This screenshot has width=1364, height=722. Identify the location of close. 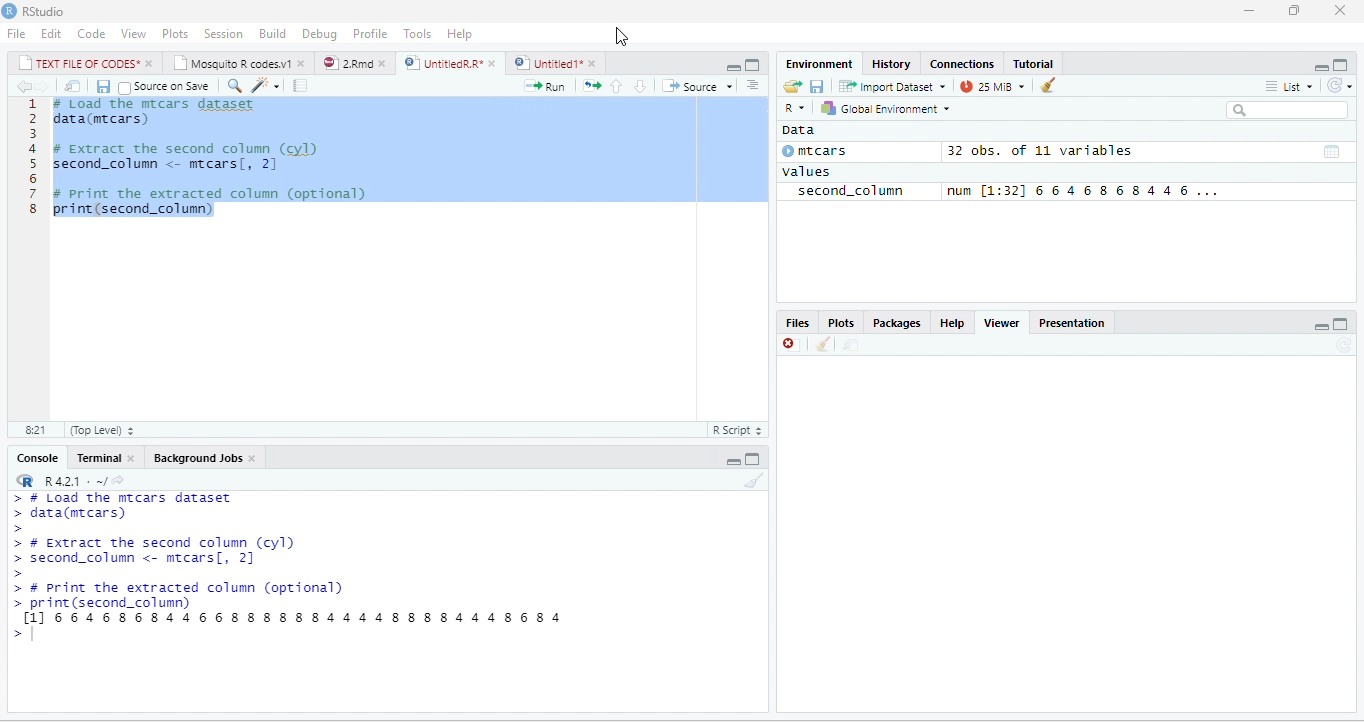
(790, 346).